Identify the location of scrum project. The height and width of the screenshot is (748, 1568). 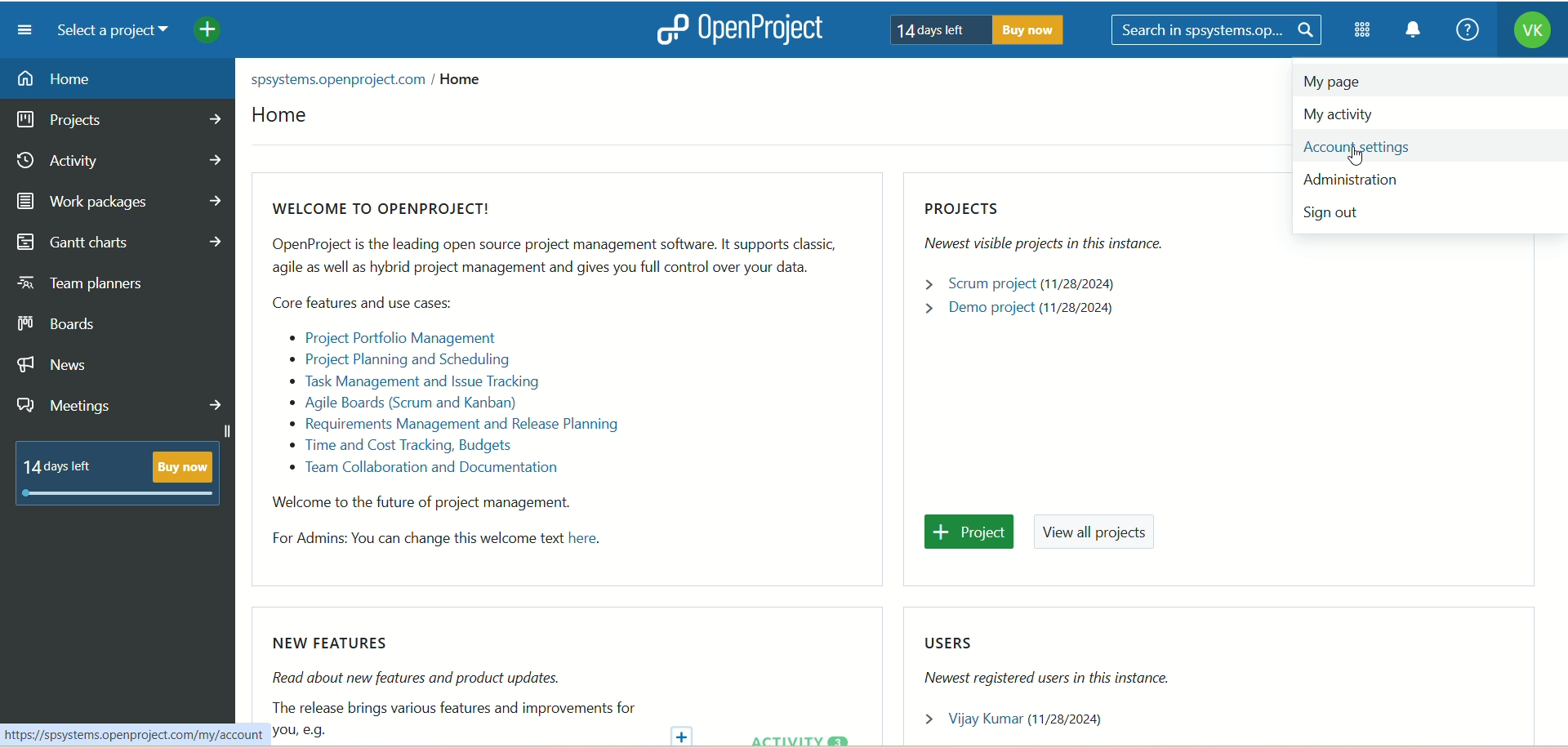
(1036, 283).